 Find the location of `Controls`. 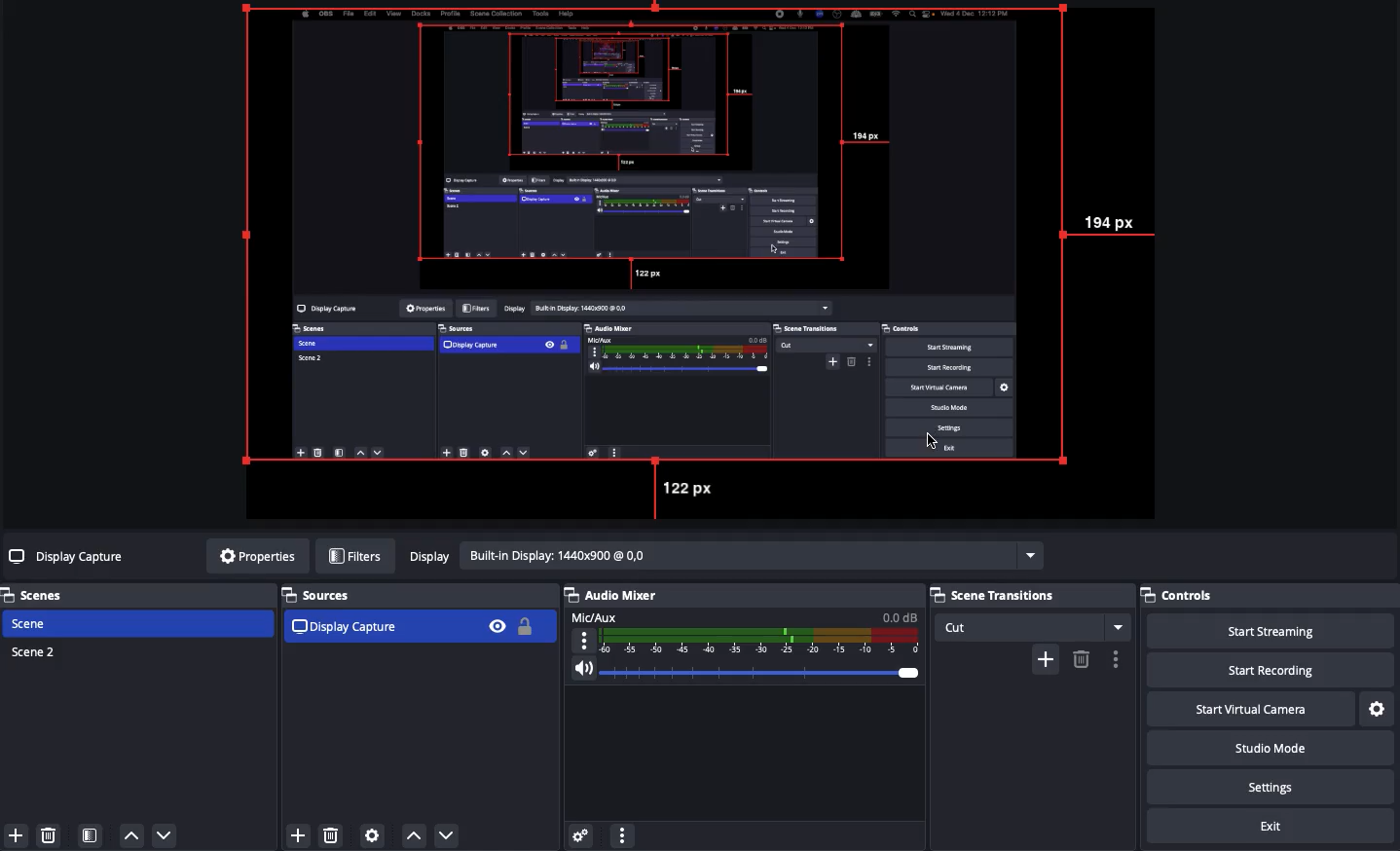

Controls is located at coordinates (1201, 597).